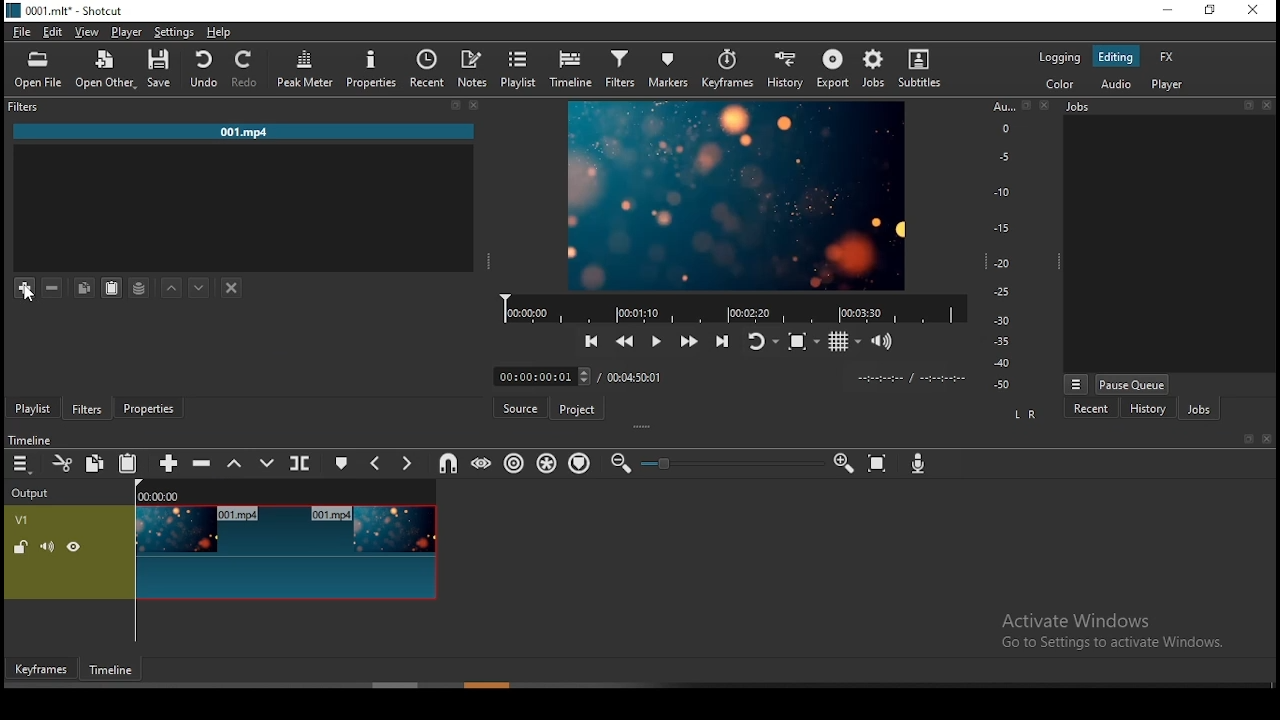 The image size is (1280, 720). Describe the element at coordinates (233, 288) in the screenshot. I see `deselect the filter` at that location.